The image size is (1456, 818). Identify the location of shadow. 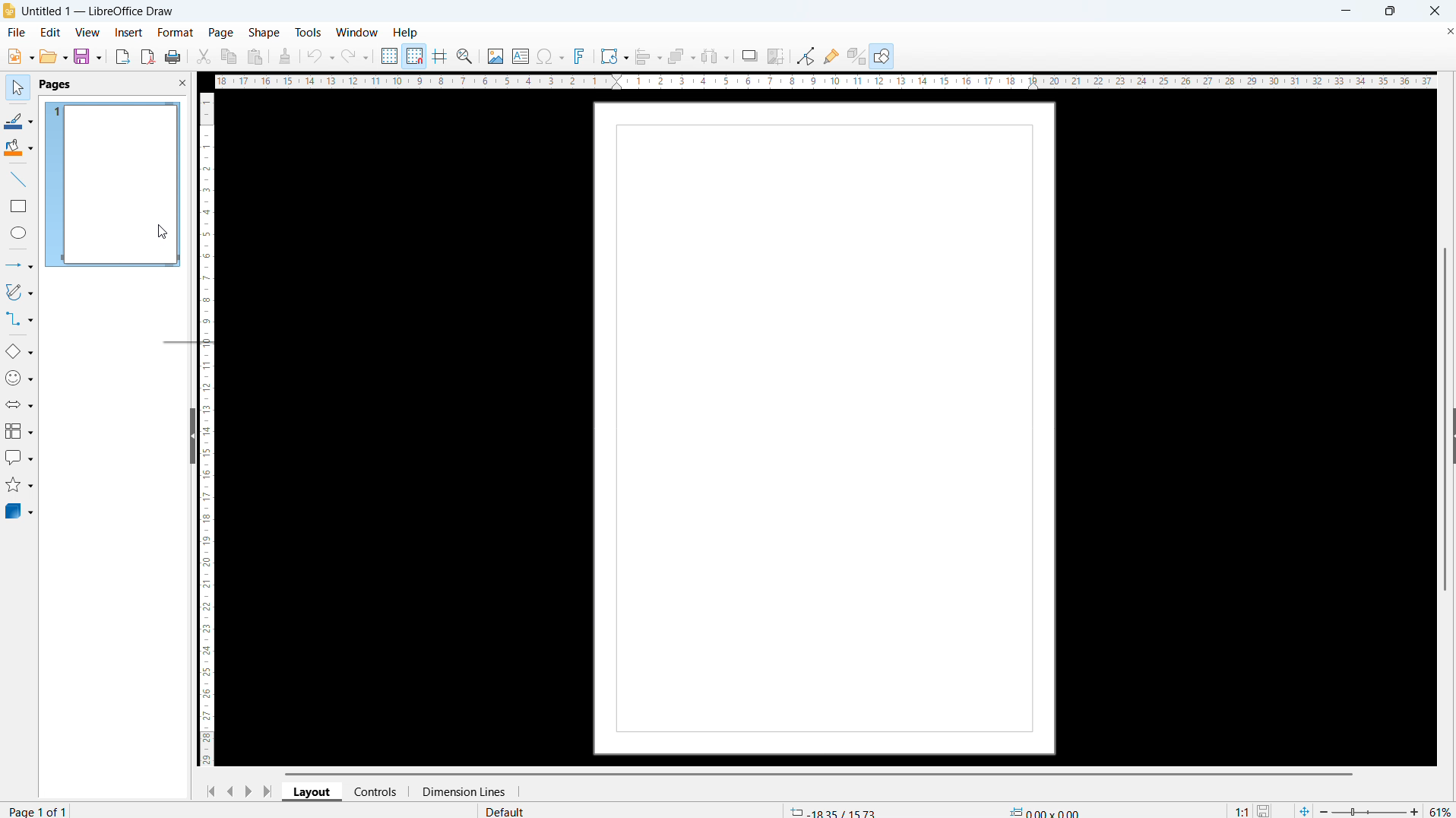
(749, 55).